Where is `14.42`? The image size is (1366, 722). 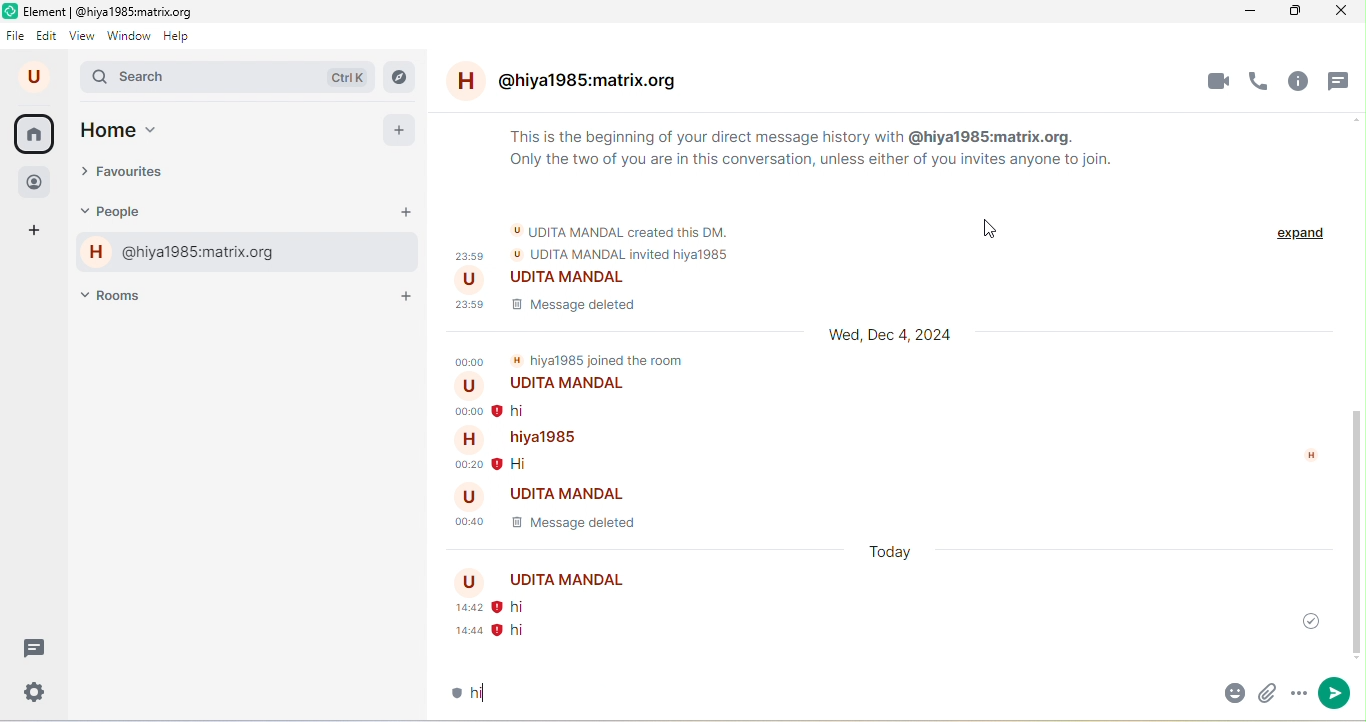 14.42 is located at coordinates (456, 609).